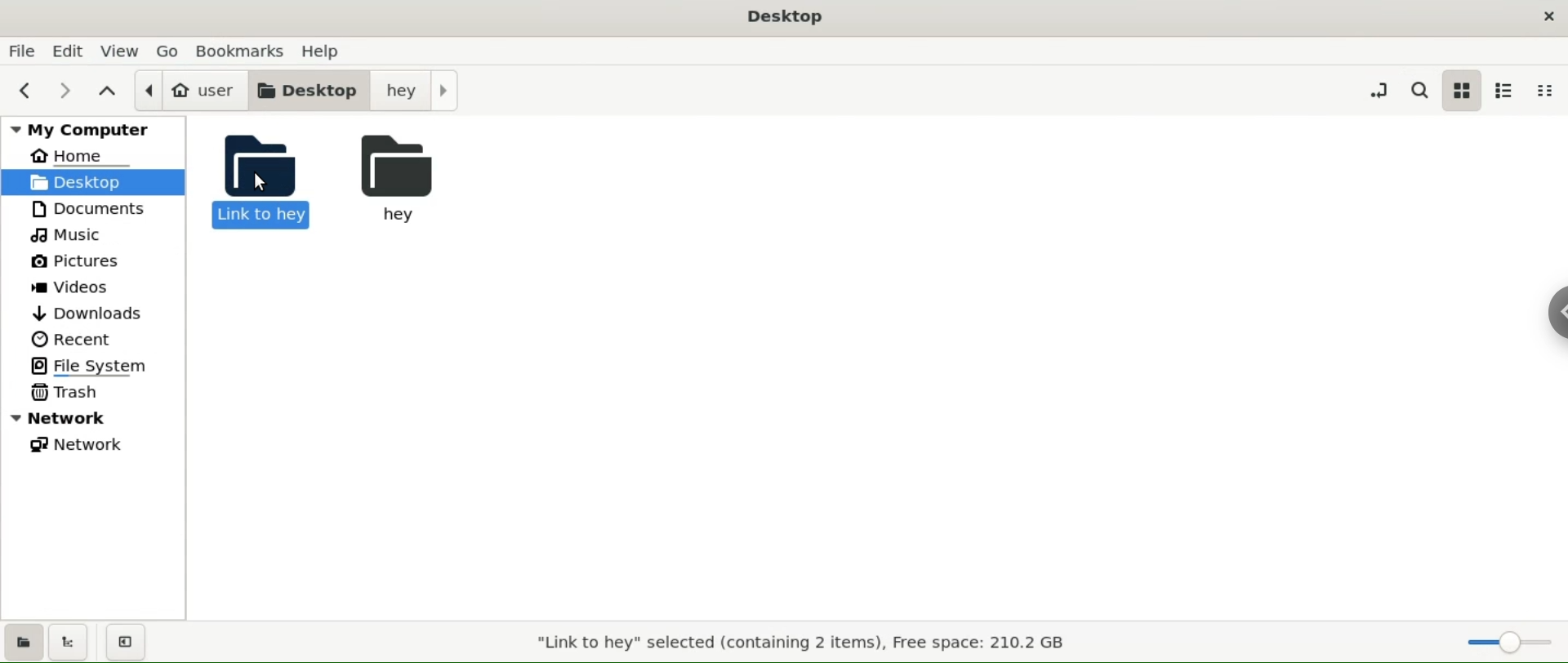 The width and height of the screenshot is (1568, 663). What do you see at coordinates (72, 235) in the screenshot?
I see `music` at bounding box center [72, 235].